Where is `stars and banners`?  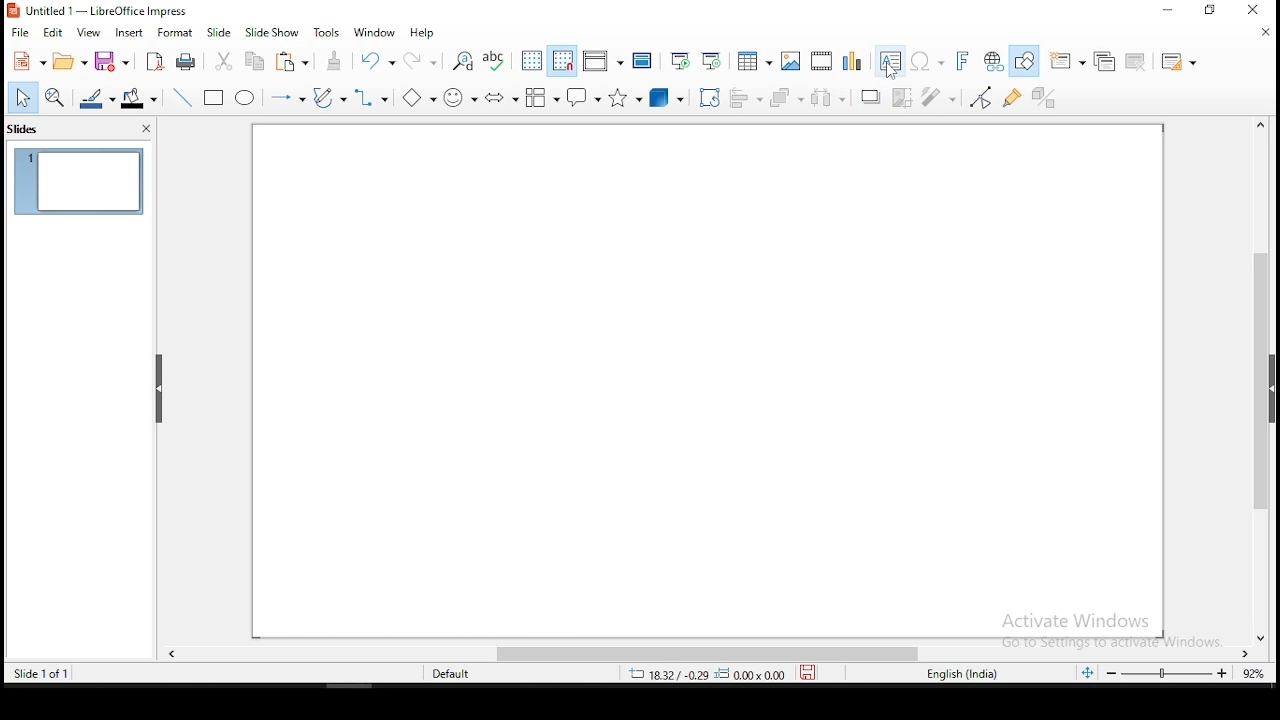 stars and banners is located at coordinates (627, 97).